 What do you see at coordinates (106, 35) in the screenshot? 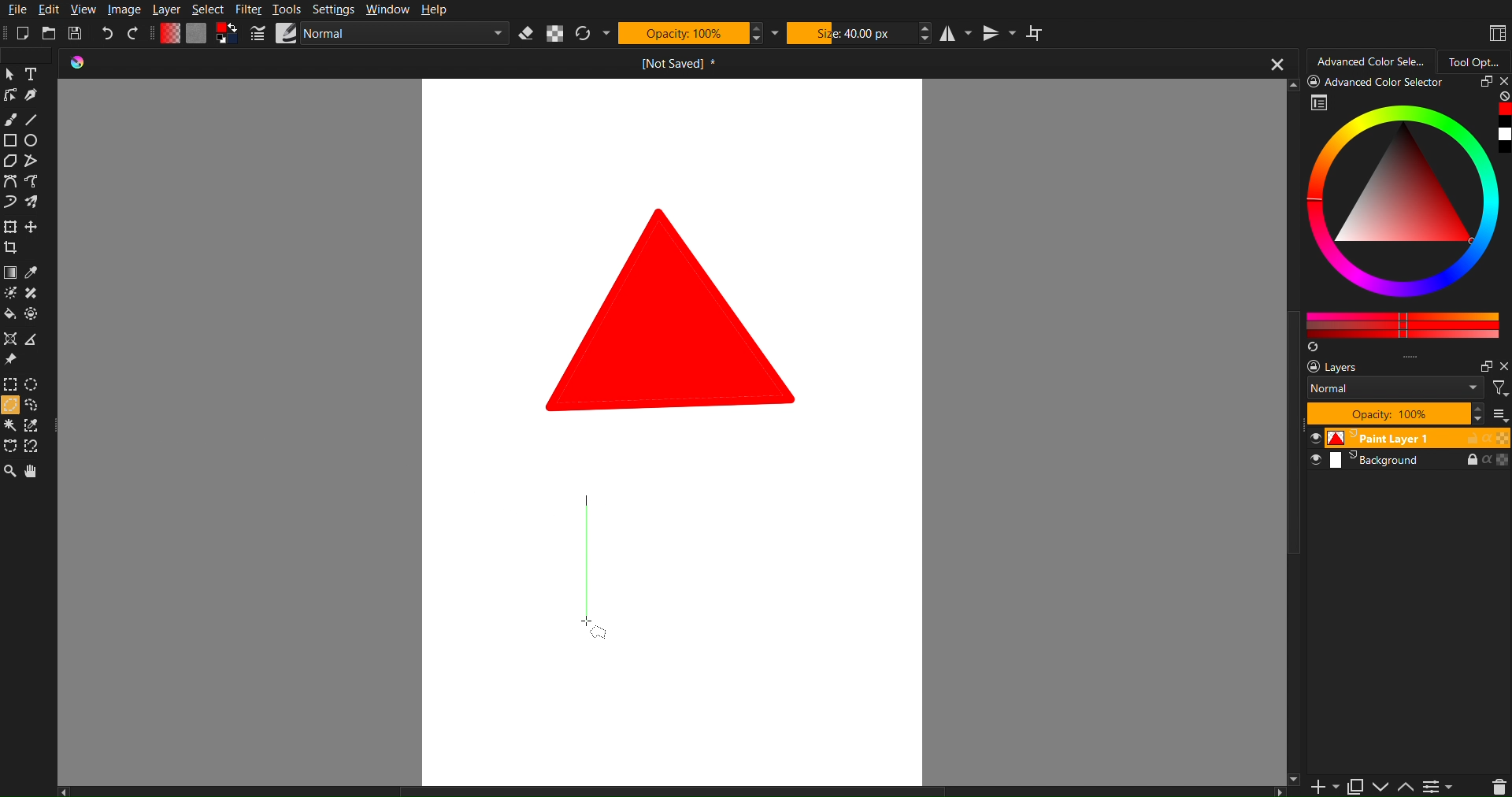
I see `Undo` at bounding box center [106, 35].